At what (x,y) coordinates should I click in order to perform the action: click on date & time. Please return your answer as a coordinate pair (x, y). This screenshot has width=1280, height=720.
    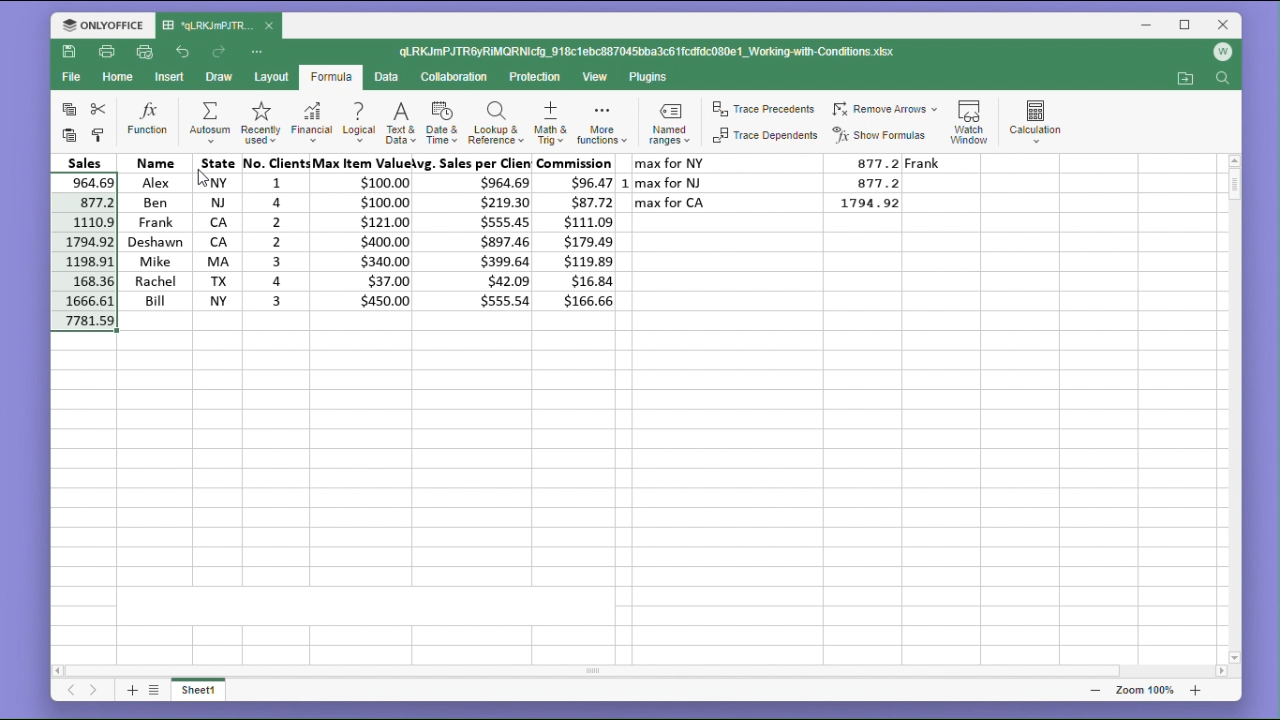
    Looking at the image, I should click on (443, 124).